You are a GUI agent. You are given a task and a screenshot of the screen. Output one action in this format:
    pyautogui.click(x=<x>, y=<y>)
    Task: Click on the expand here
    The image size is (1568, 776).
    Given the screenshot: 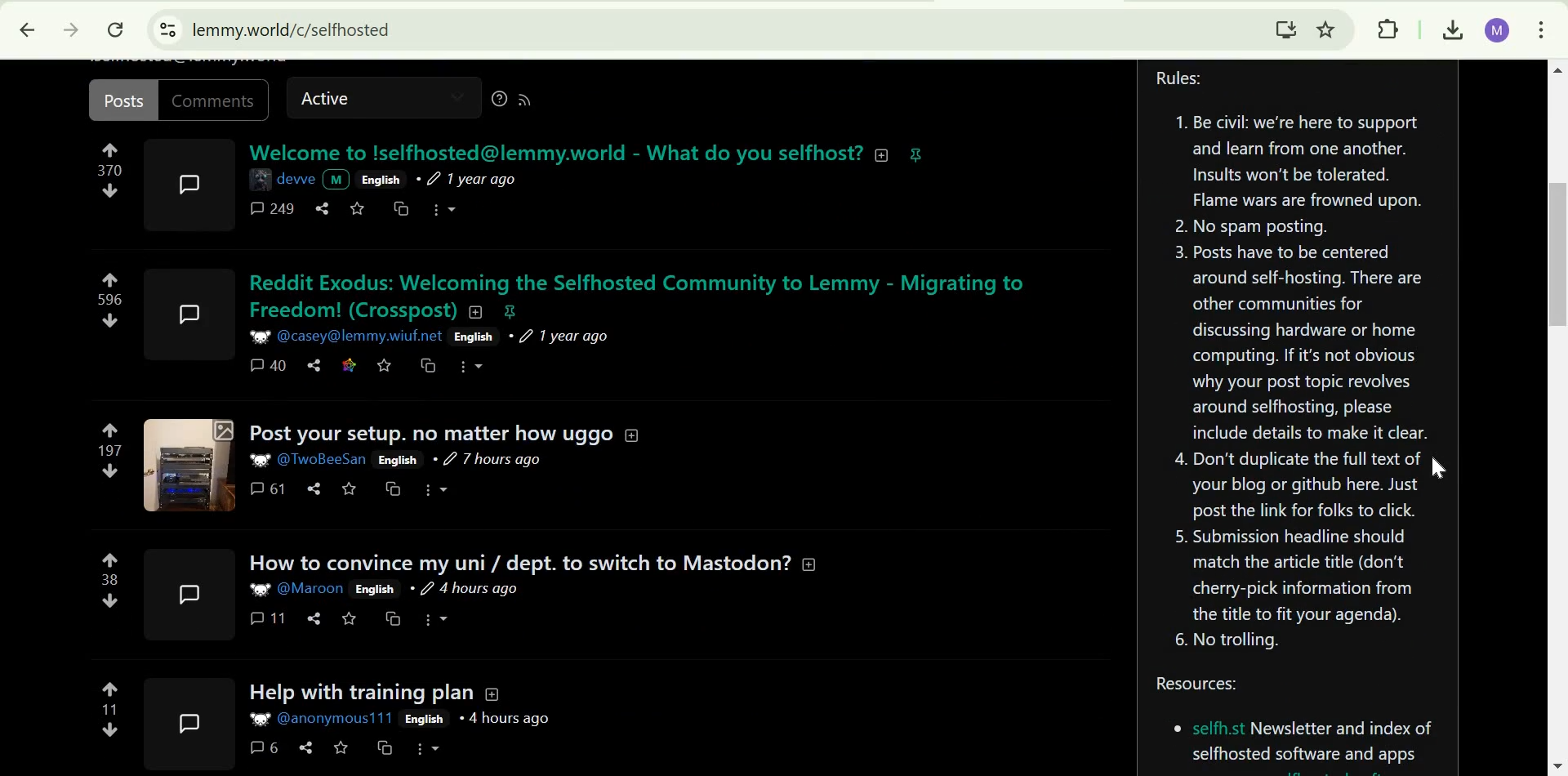 What is the action you would take?
    pyautogui.click(x=185, y=723)
    